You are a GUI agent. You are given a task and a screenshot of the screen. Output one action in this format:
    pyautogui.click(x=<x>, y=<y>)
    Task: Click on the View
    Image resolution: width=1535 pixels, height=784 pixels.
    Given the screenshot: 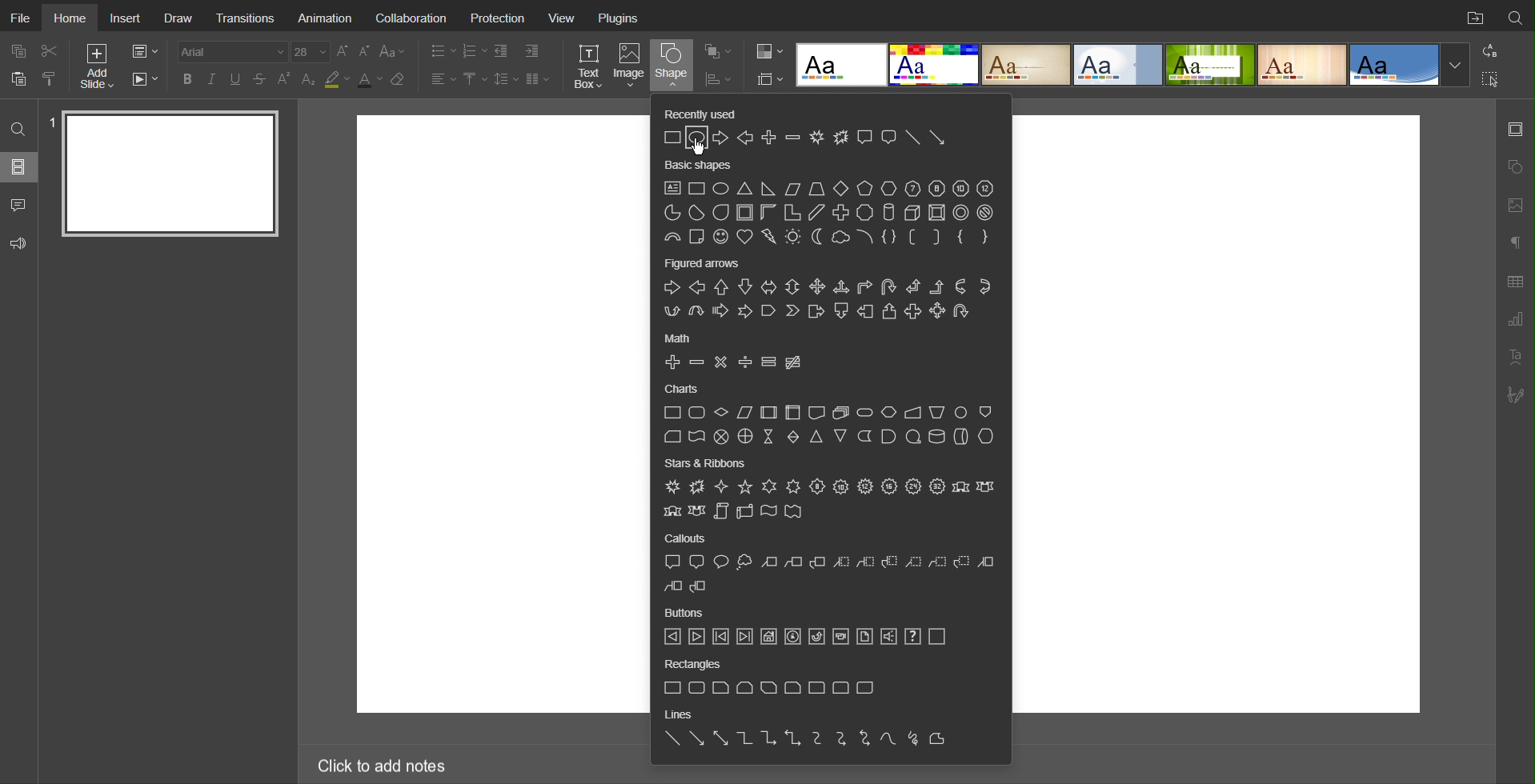 What is the action you would take?
    pyautogui.click(x=559, y=19)
    